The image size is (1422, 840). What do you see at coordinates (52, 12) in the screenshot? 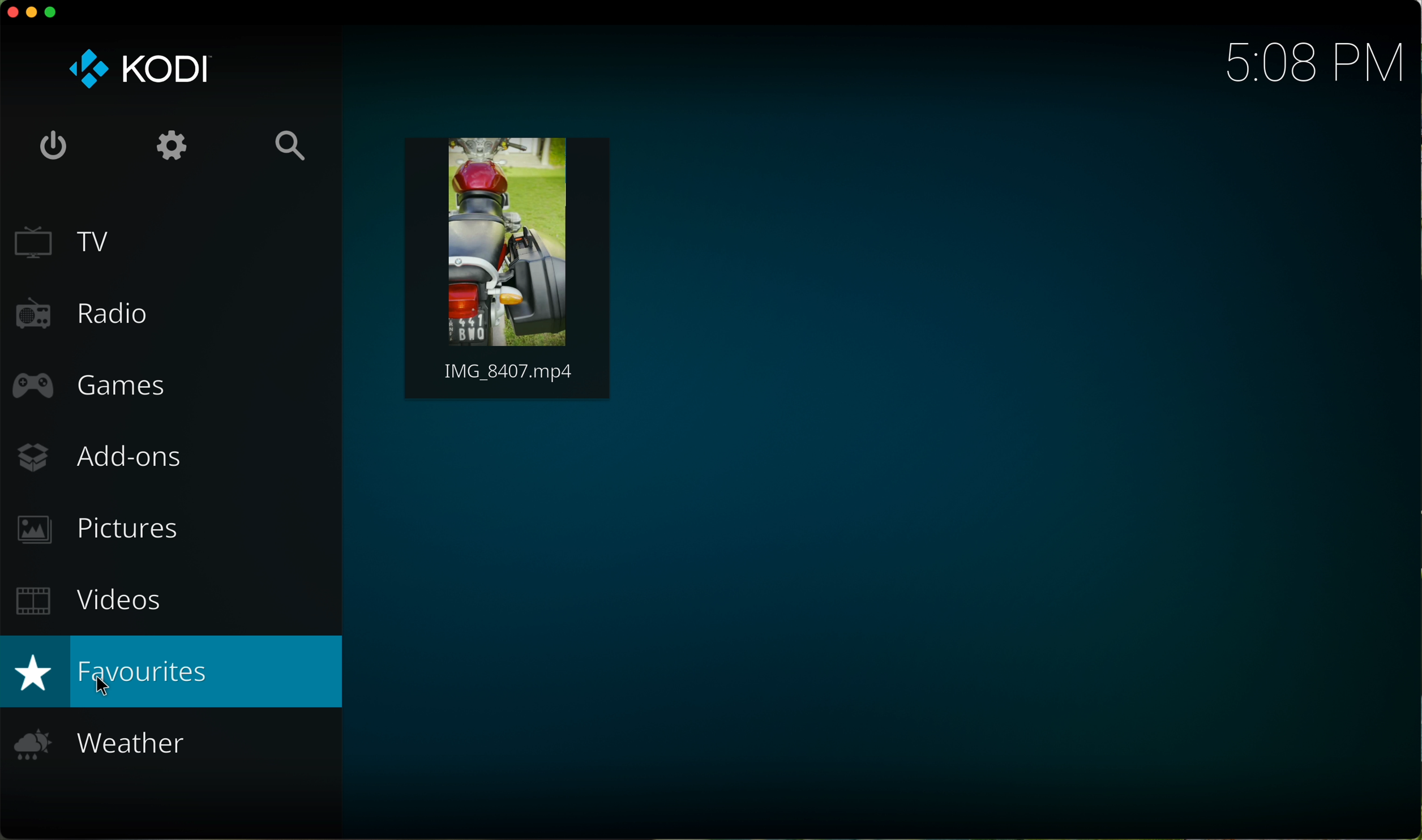
I see `maximize` at bounding box center [52, 12].